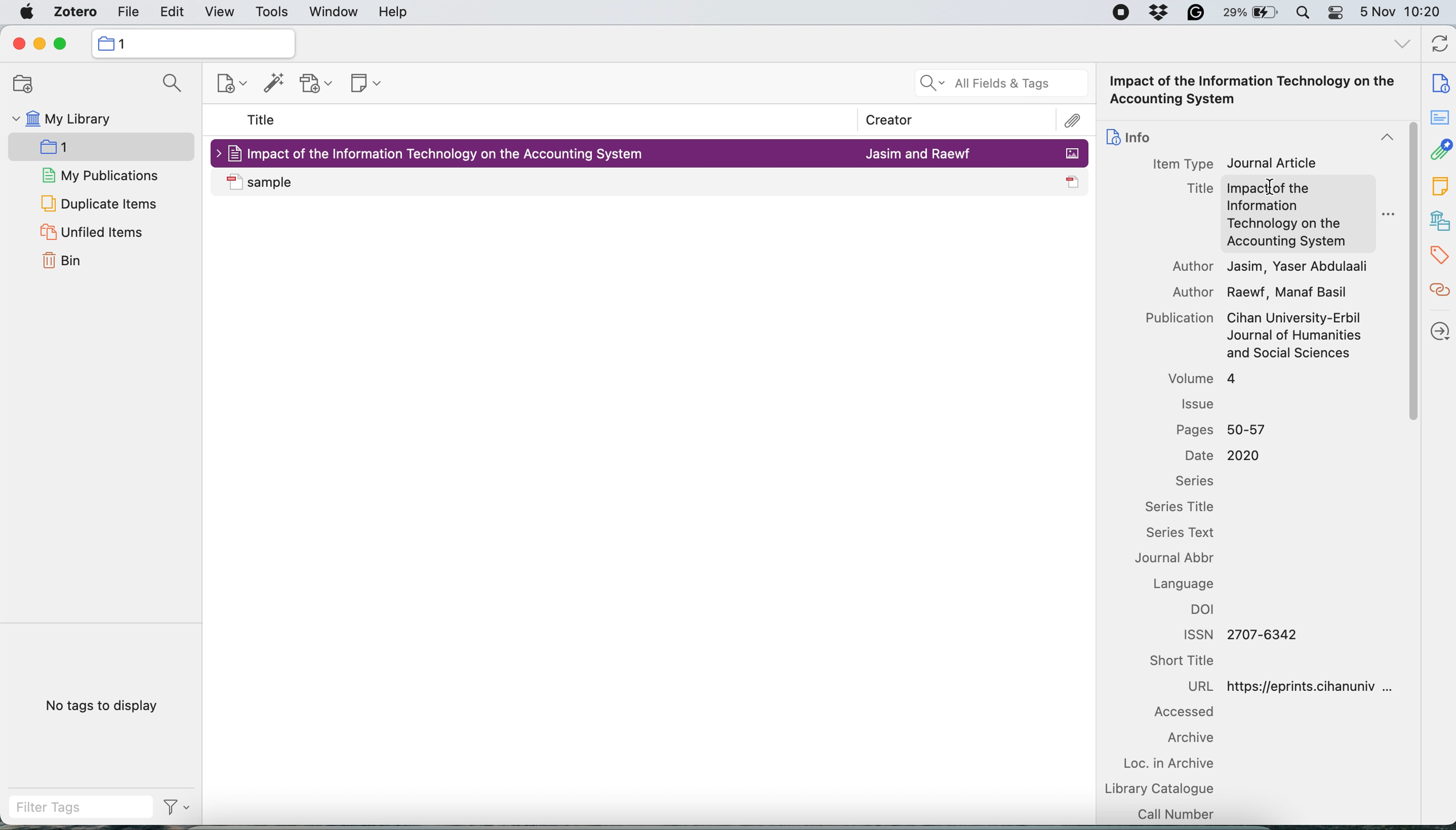 Image resolution: width=1456 pixels, height=830 pixels. Describe the element at coordinates (1187, 533) in the screenshot. I see `series text` at that location.